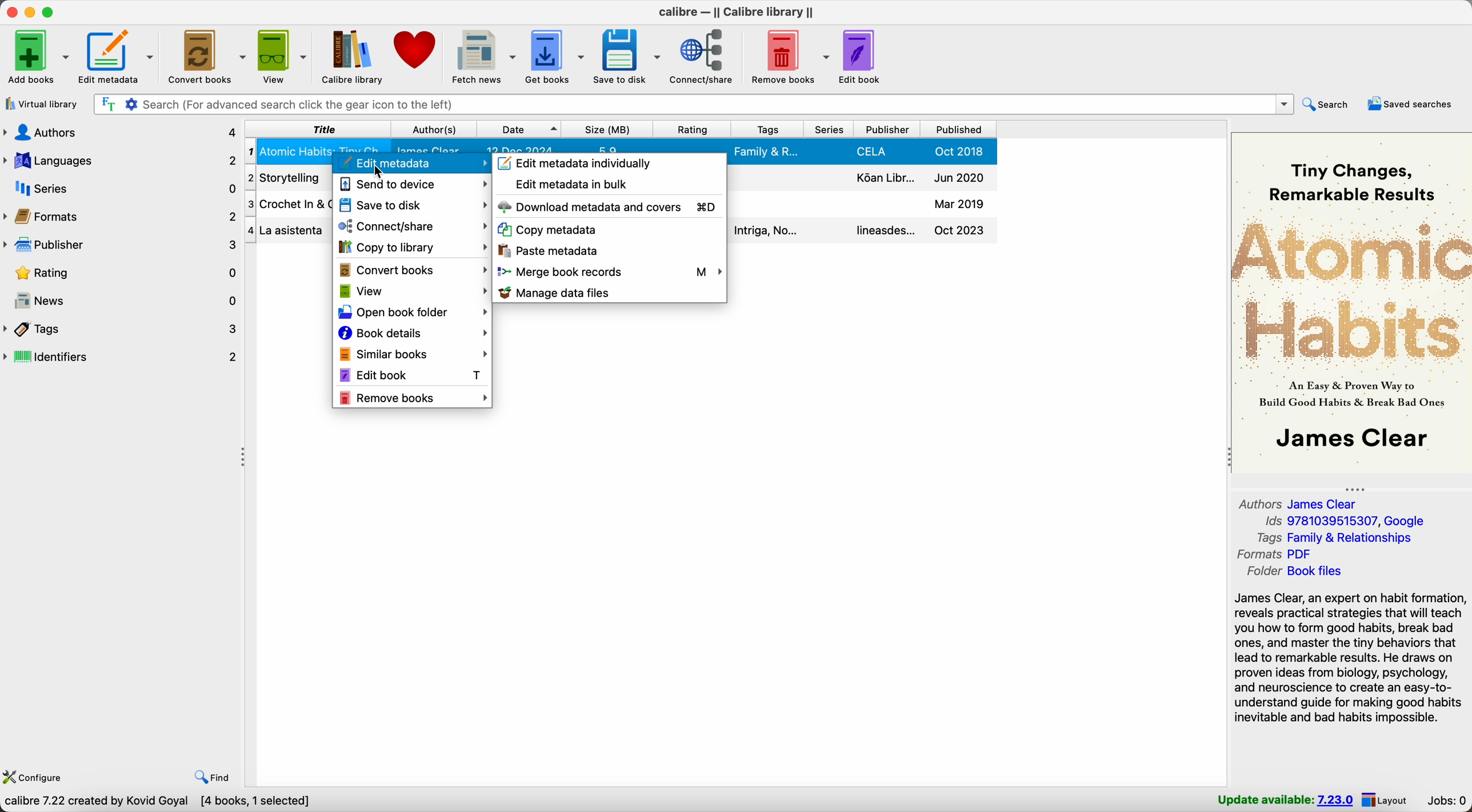 Image resolution: width=1472 pixels, height=812 pixels. What do you see at coordinates (626, 55) in the screenshot?
I see `save to disk` at bounding box center [626, 55].